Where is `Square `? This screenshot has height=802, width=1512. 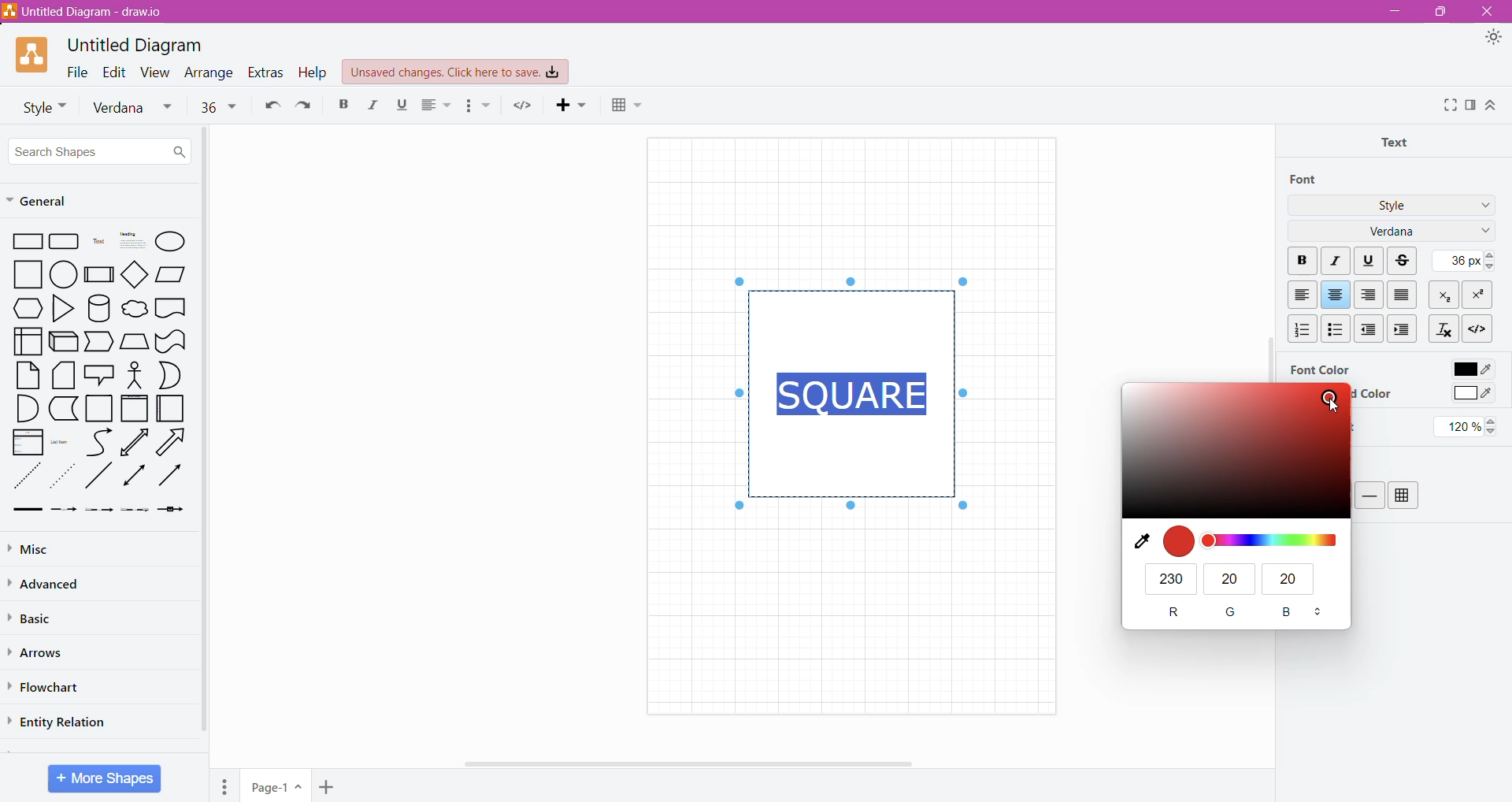
Square  is located at coordinates (98, 408).